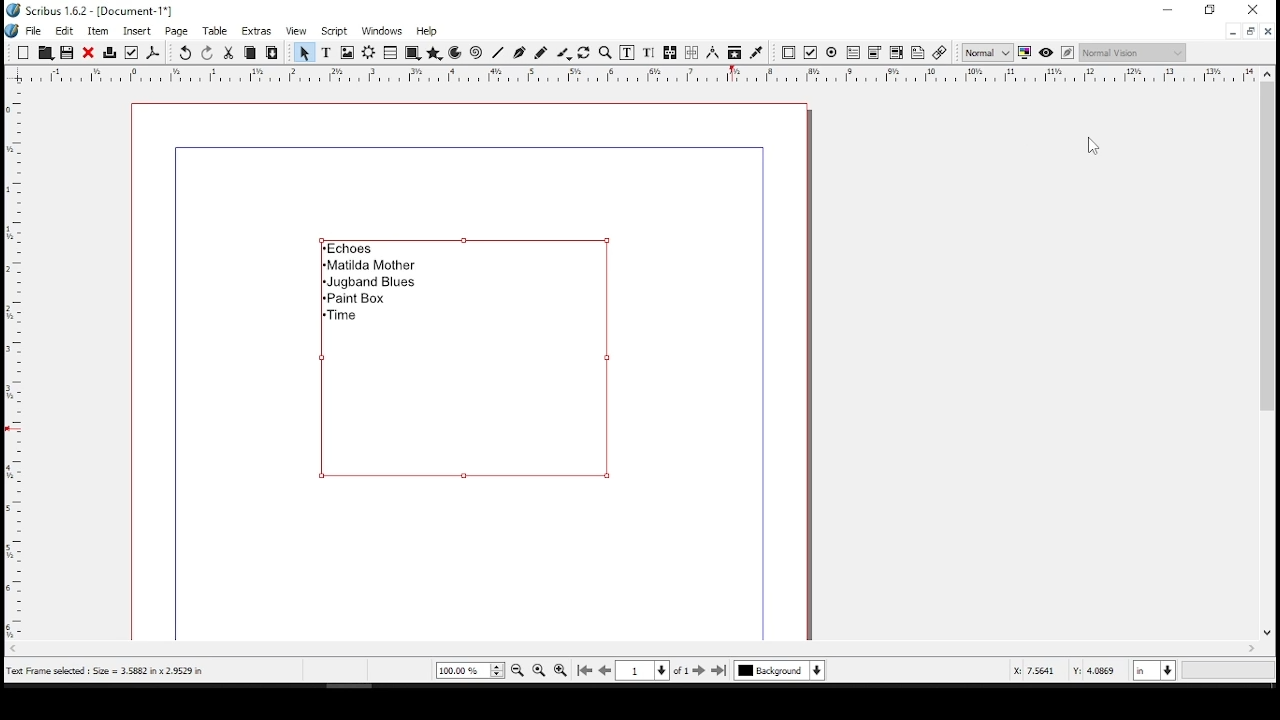  What do you see at coordinates (940, 53) in the screenshot?
I see `link annotation` at bounding box center [940, 53].